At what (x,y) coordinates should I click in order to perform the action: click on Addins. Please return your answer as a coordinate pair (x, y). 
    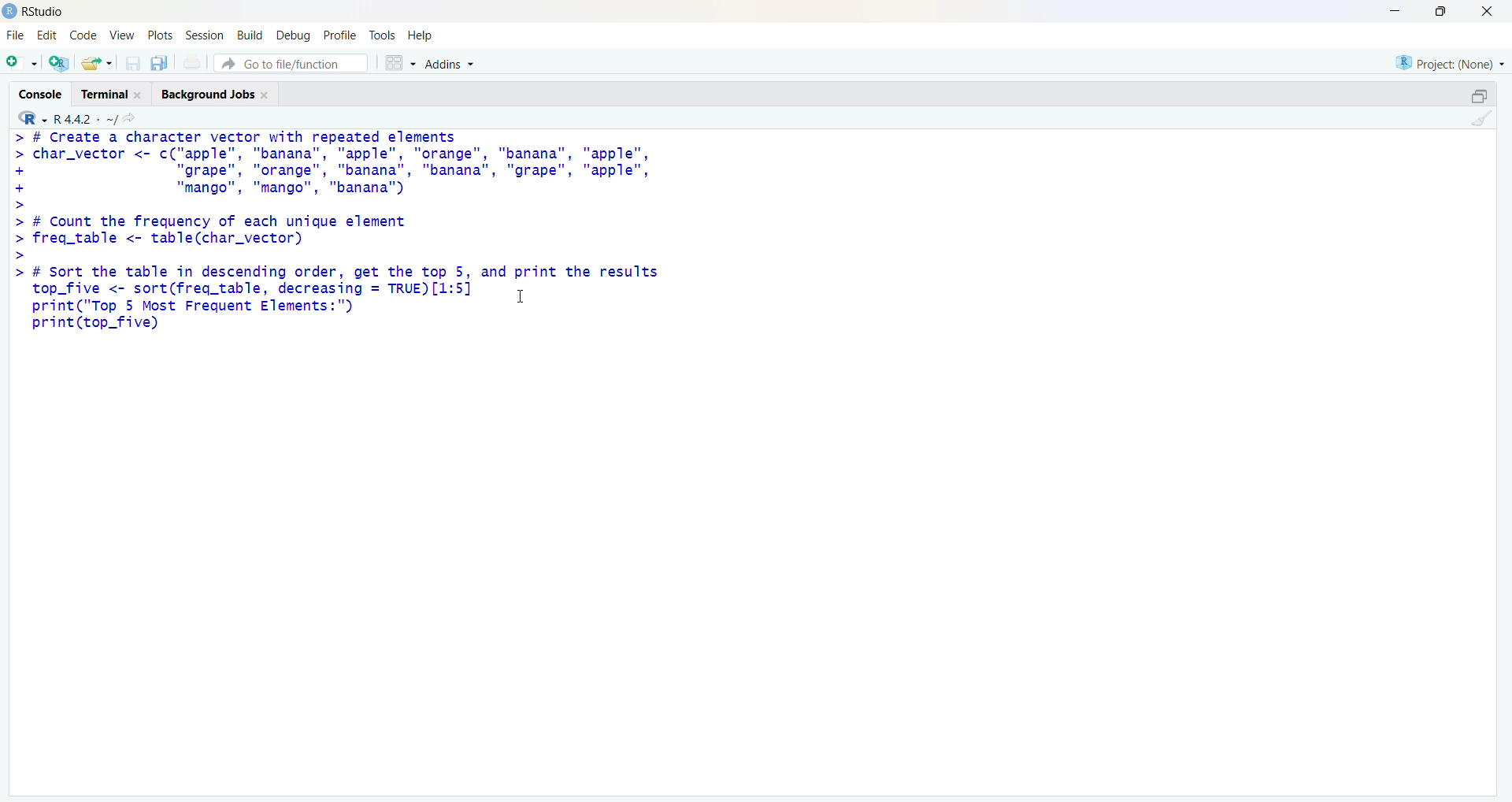
    Looking at the image, I should click on (451, 64).